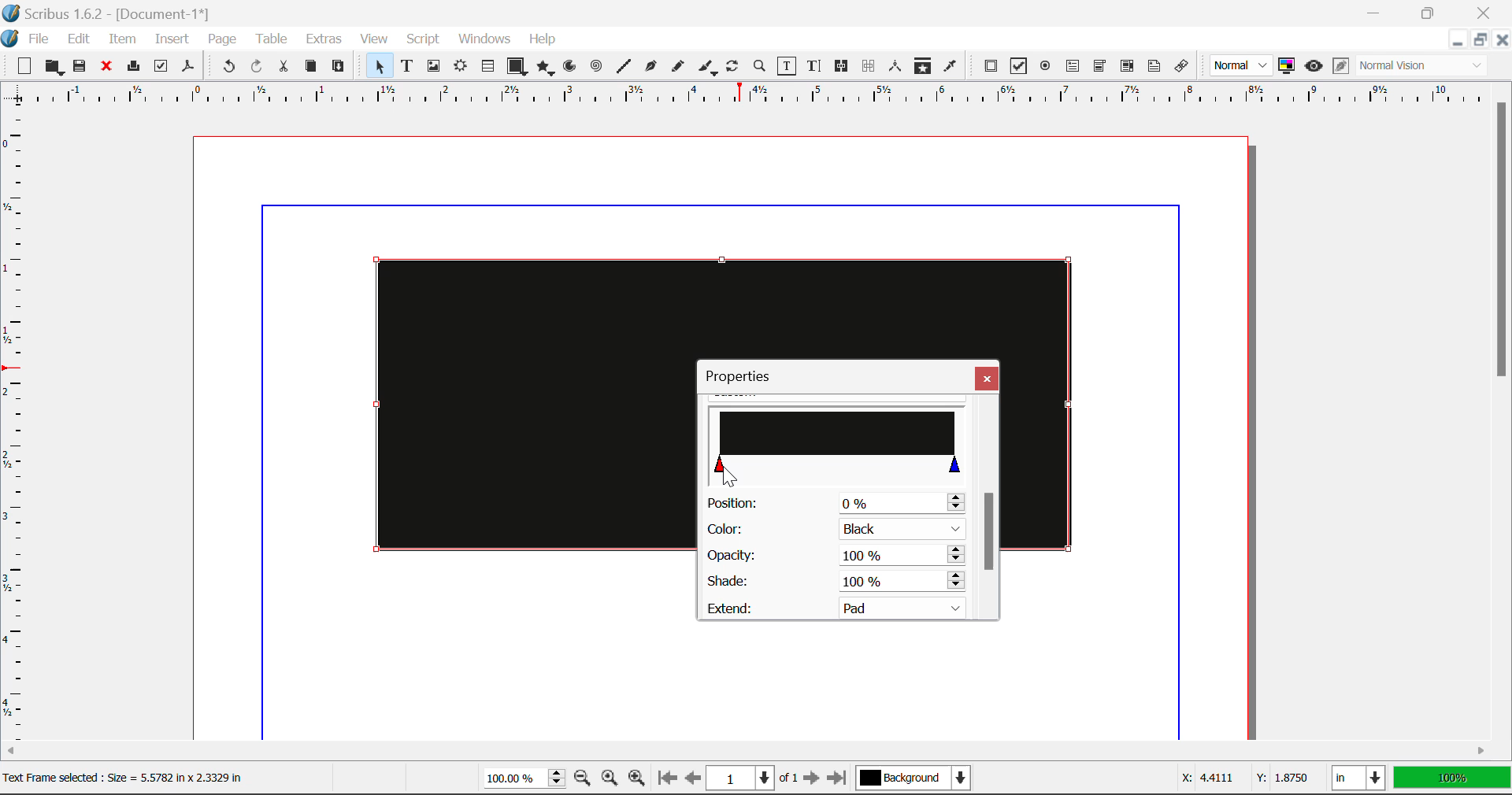 This screenshot has height=795, width=1512. Describe the element at coordinates (869, 66) in the screenshot. I see `Delink Frames` at that location.